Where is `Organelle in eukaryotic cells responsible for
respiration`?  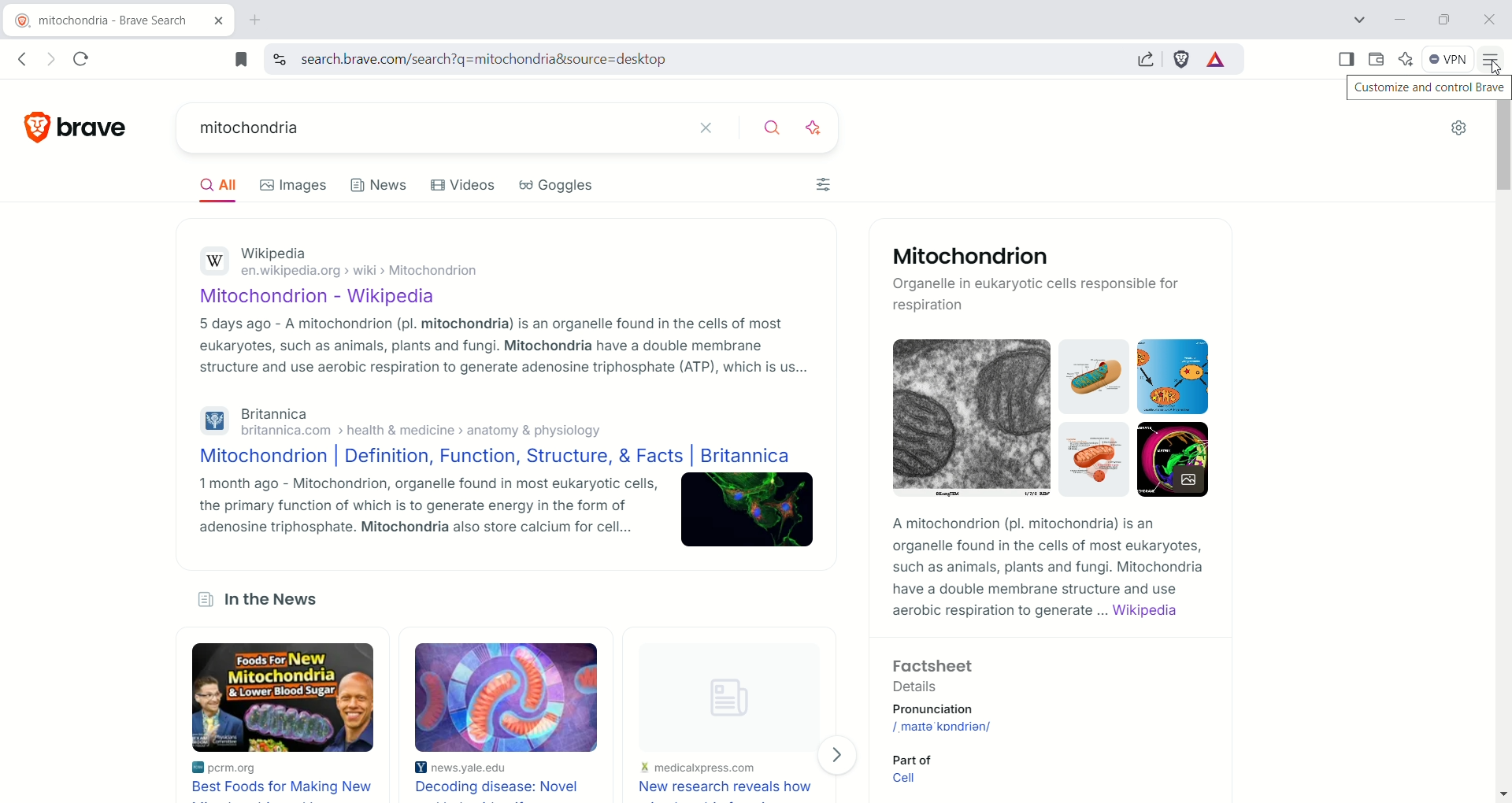 Organelle in eukaryotic cells responsible for
respiration is located at coordinates (1017, 294).